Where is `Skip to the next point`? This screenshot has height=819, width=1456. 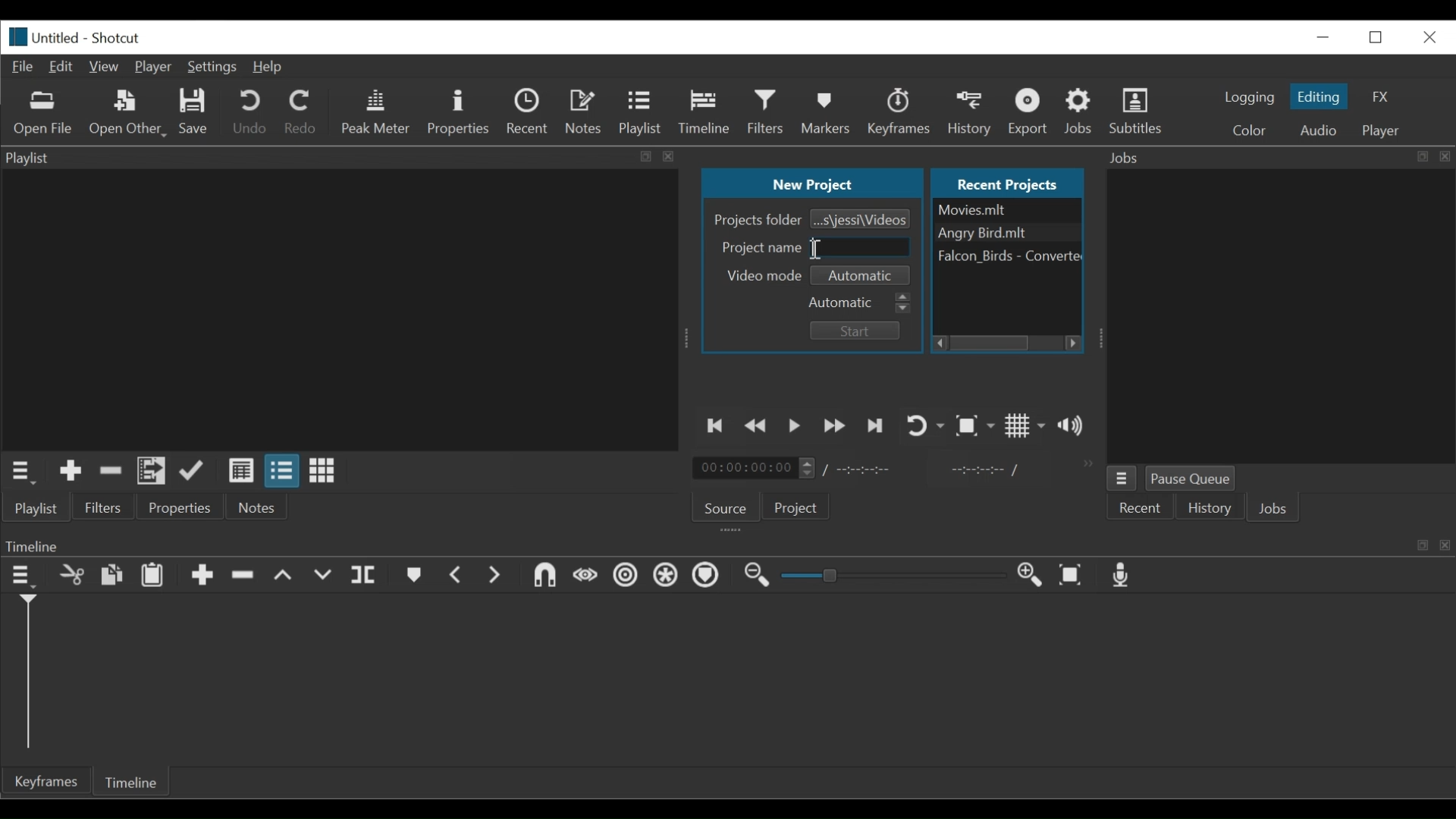
Skip to the next point is located at coordinates (875, 427).